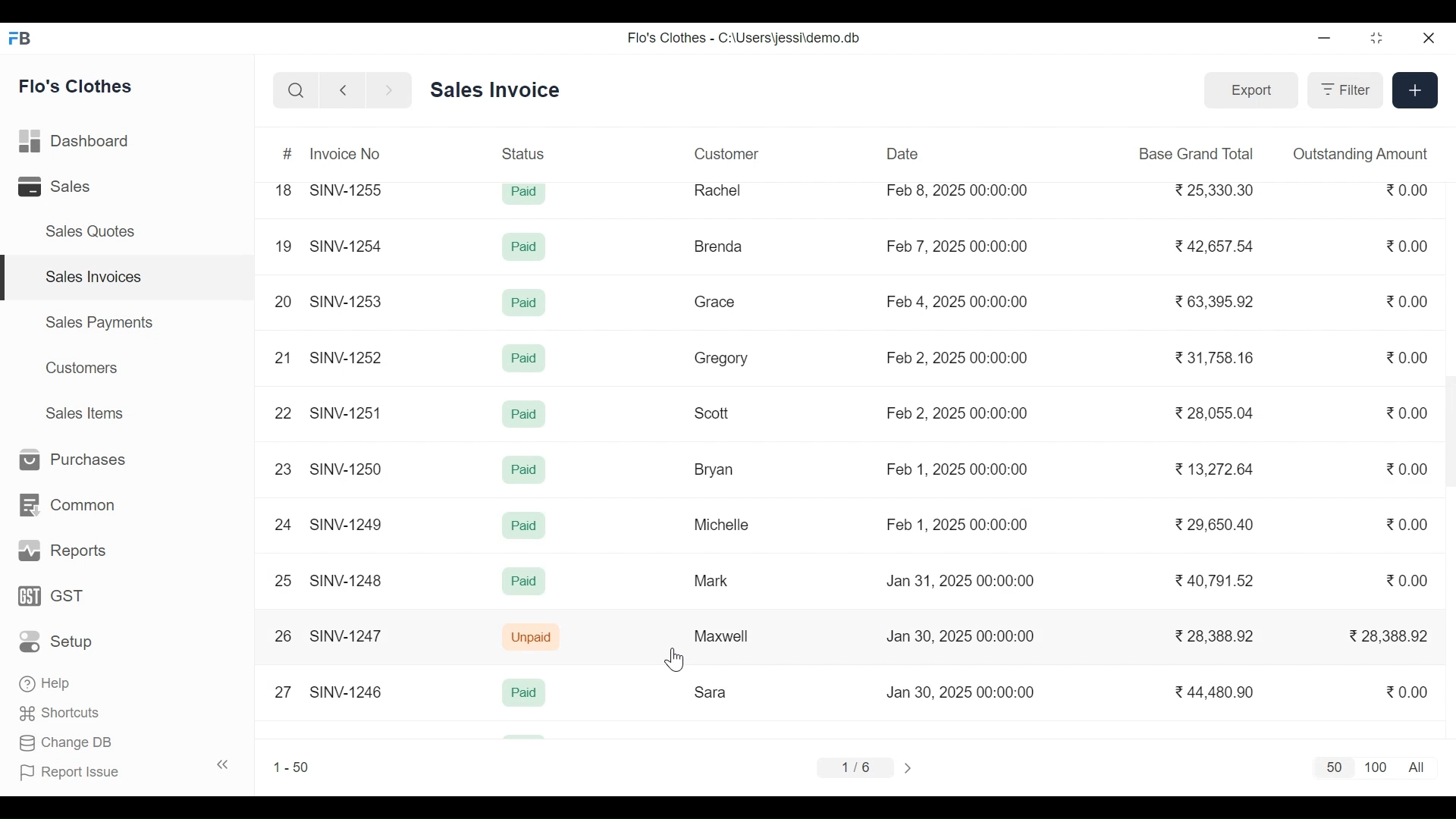  I want to click on SINV-1255, so click(350, 188).